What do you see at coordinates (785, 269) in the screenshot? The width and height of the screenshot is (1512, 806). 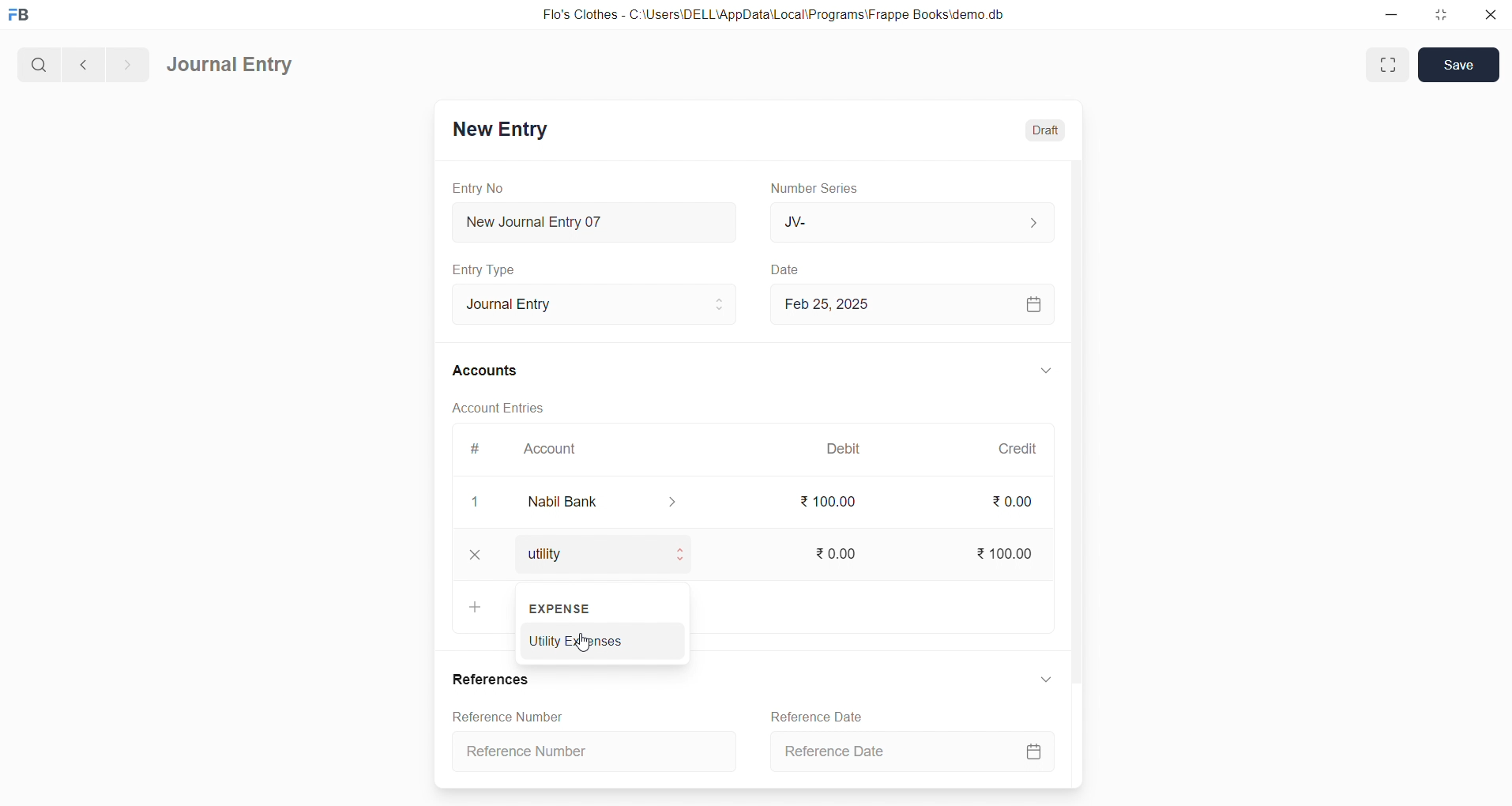 I see `Date` at bounding box center [785, 269].